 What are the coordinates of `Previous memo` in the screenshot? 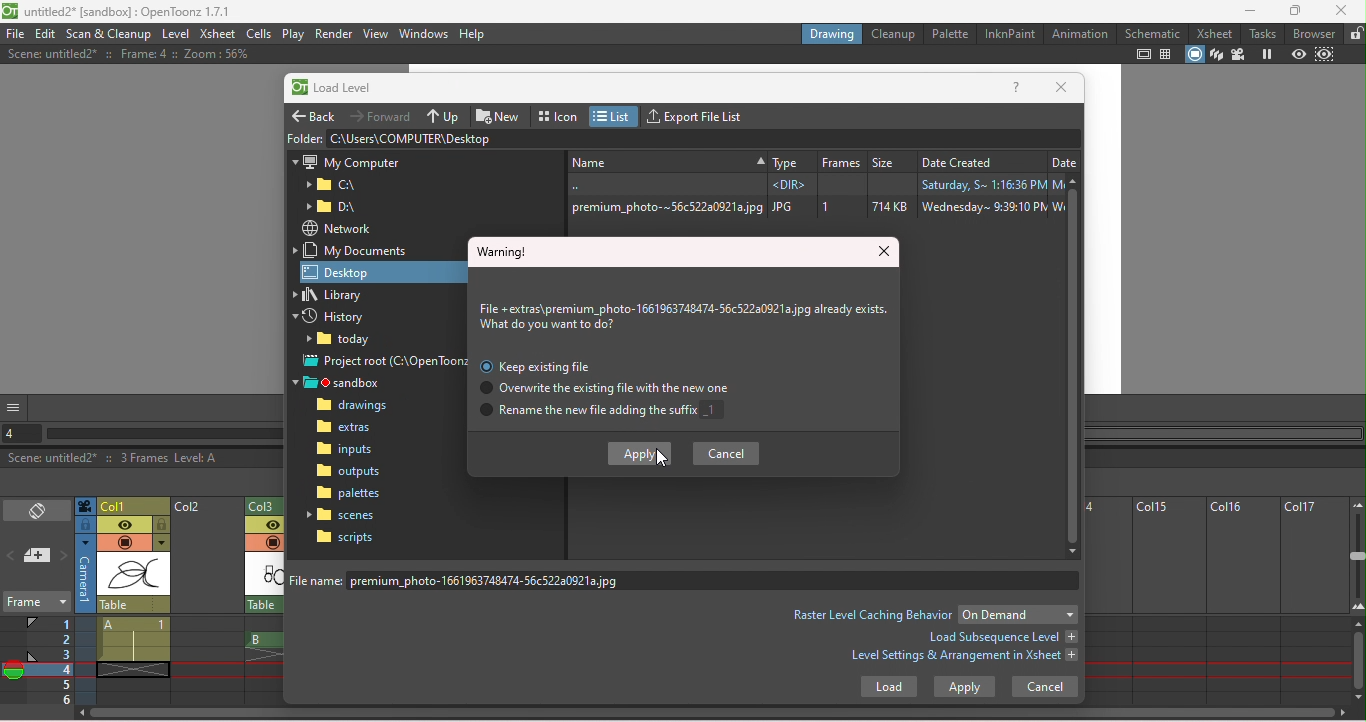 It's located at (12, 558).